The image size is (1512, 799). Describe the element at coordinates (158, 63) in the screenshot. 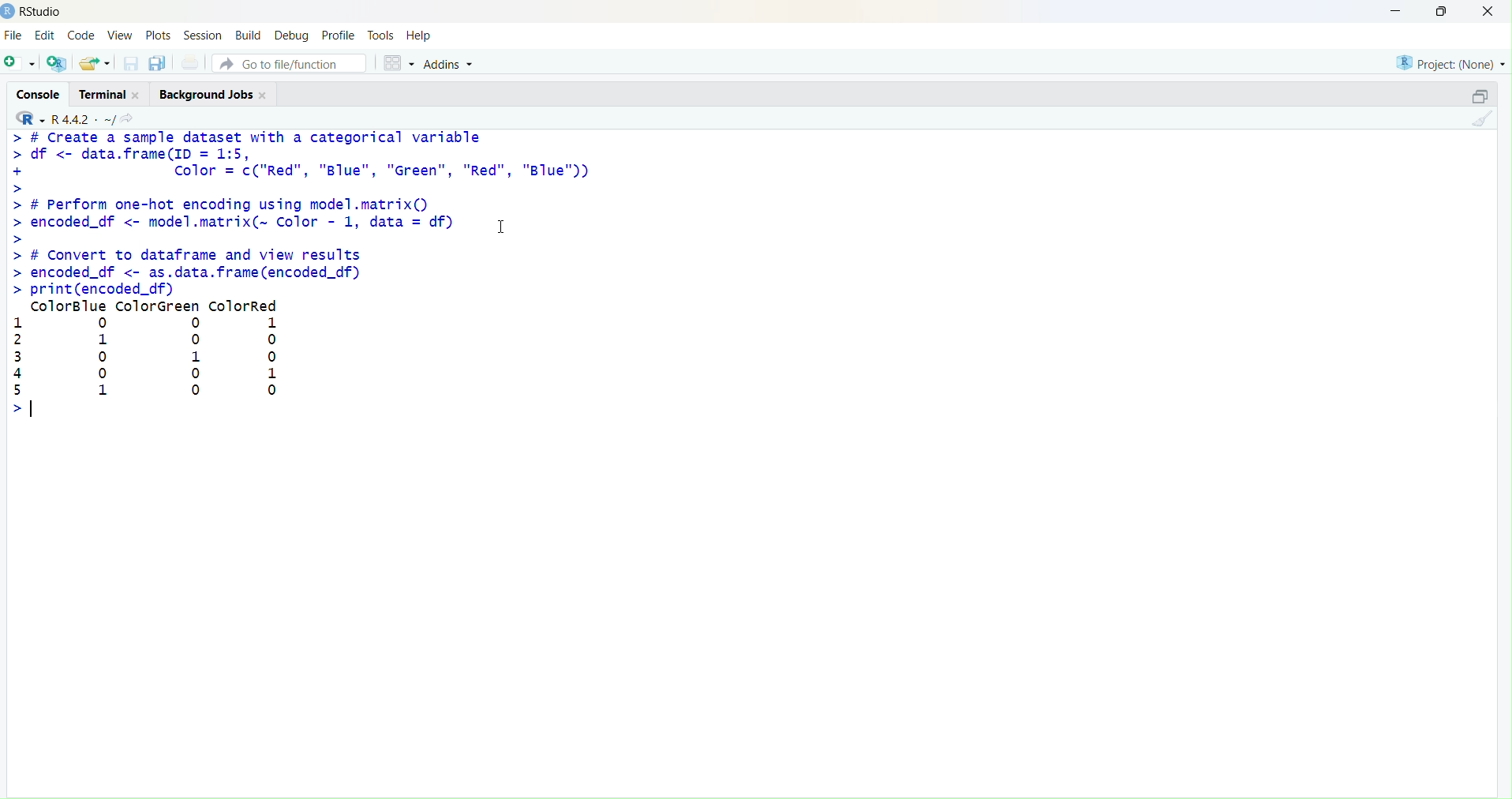

I see `copy` at that location.